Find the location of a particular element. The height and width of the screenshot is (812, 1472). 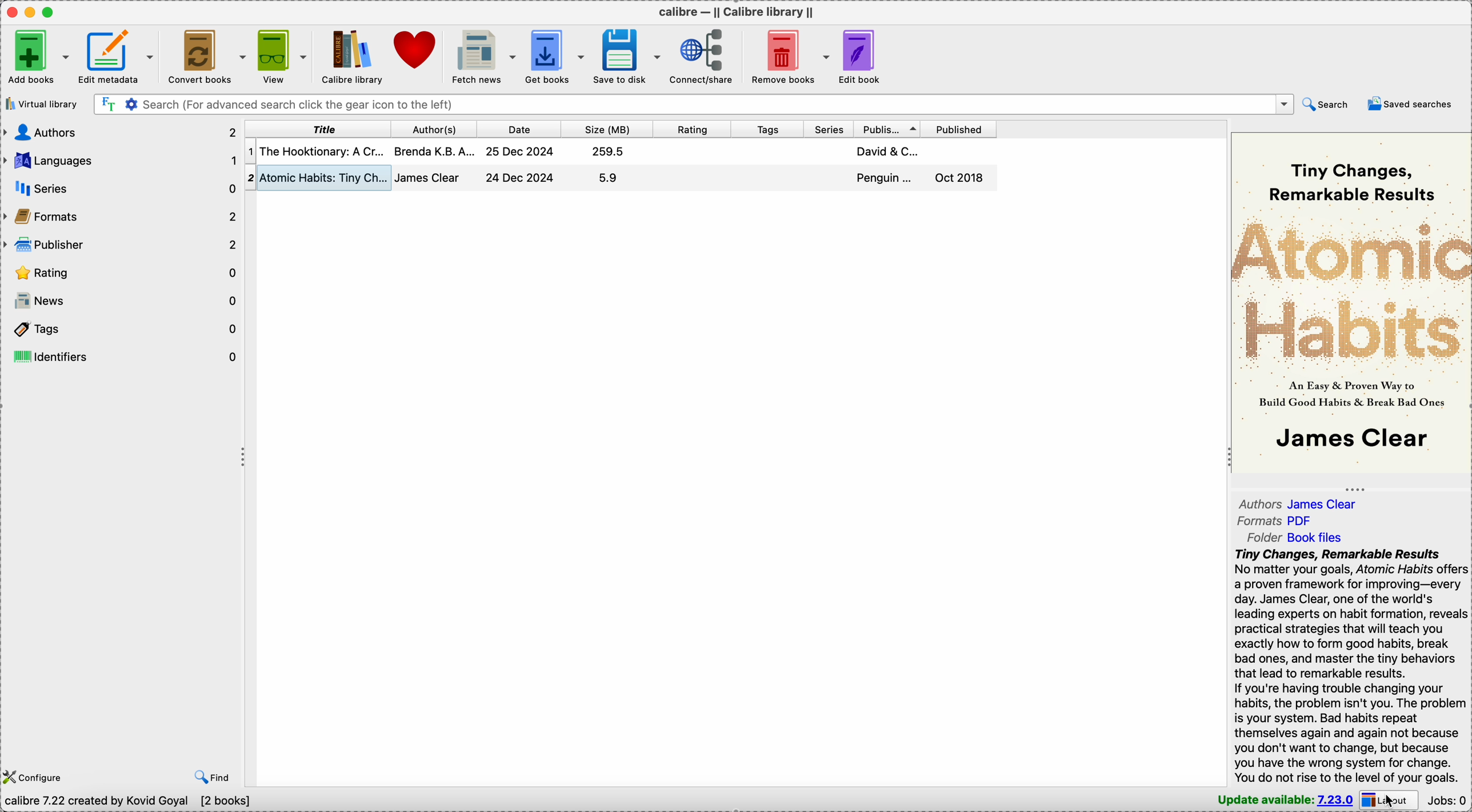

find is located at coordinates (208, 776).